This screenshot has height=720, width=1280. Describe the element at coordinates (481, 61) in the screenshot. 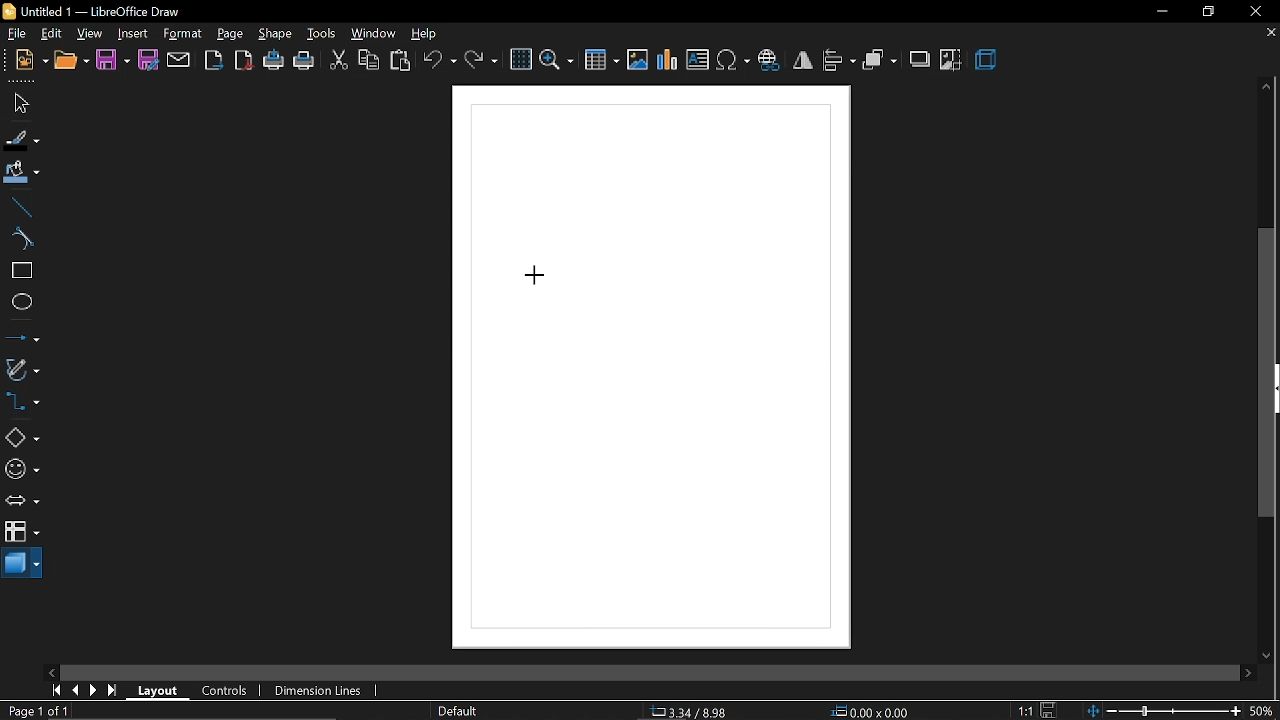

I see `redo` at that location.